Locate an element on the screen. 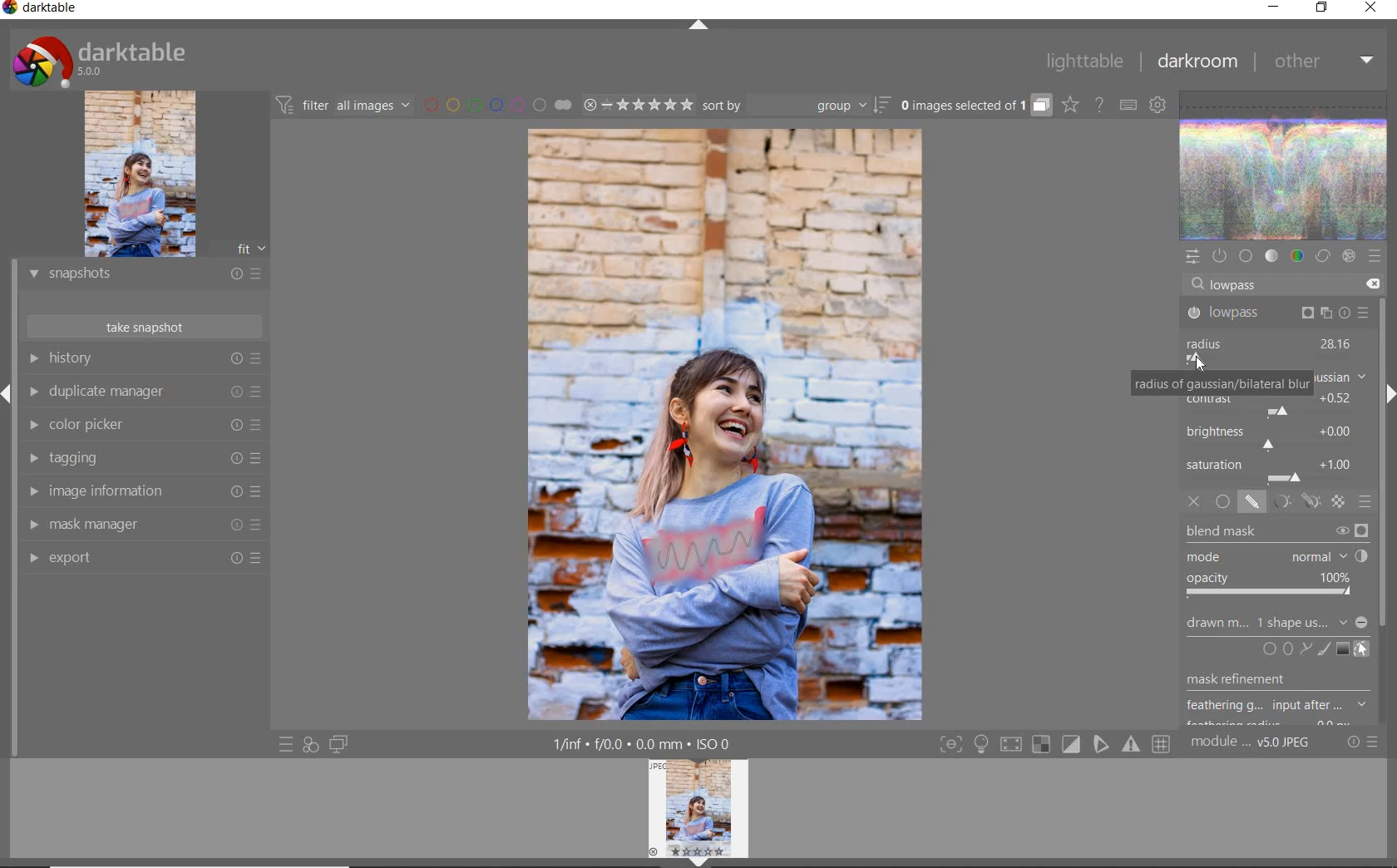  range ratings for selected images is located at coordinates (638, 104).